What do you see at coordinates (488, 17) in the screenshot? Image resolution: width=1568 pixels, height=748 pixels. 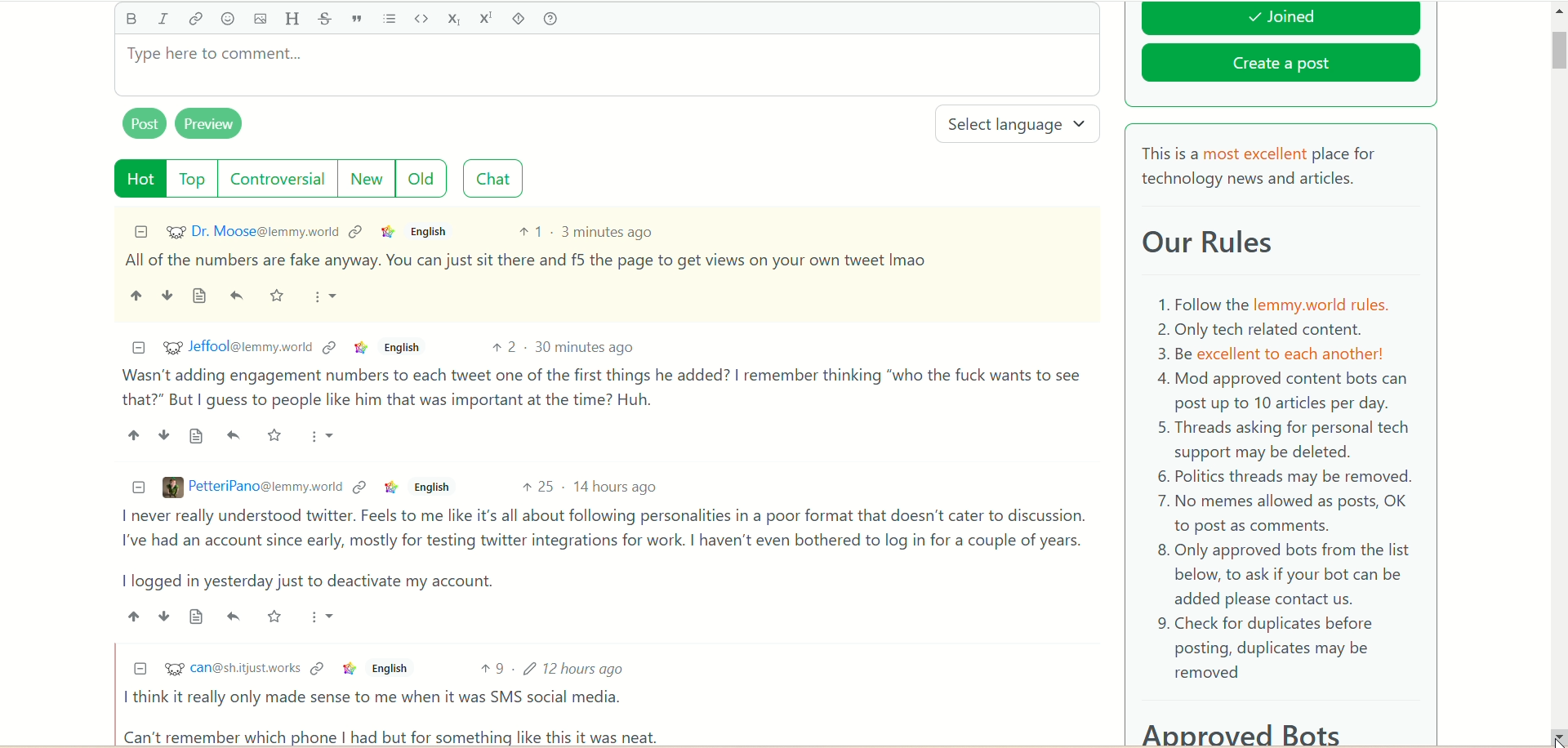 I see `superscript` at bounding box center [488, 17].